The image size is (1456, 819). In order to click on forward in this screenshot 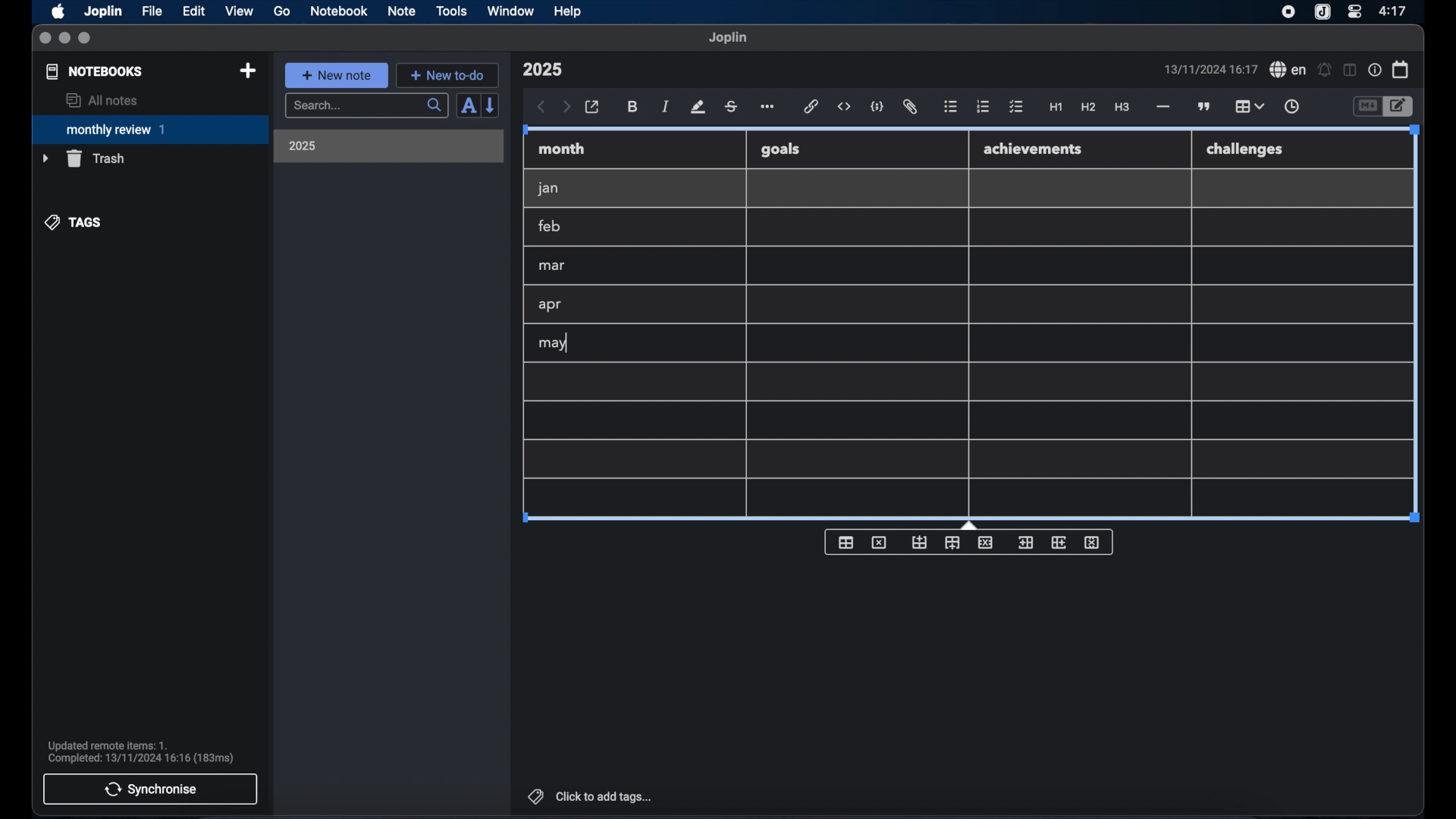, I will do `click(566, 108)`.